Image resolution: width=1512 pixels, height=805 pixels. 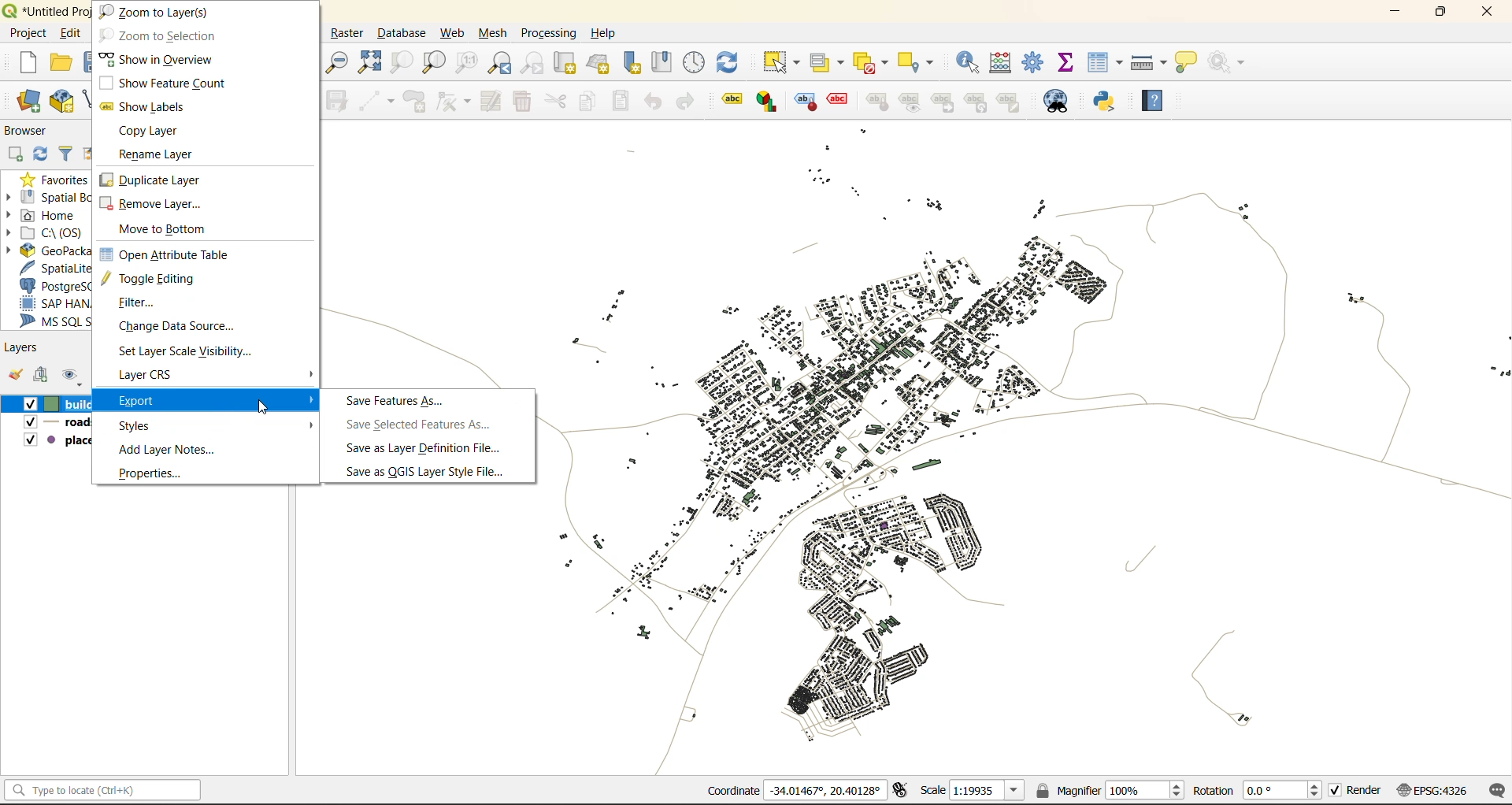 What do you see at coordinates (921, 62) in the screenshot?
I see `select location` at bounding box center [921, 62].